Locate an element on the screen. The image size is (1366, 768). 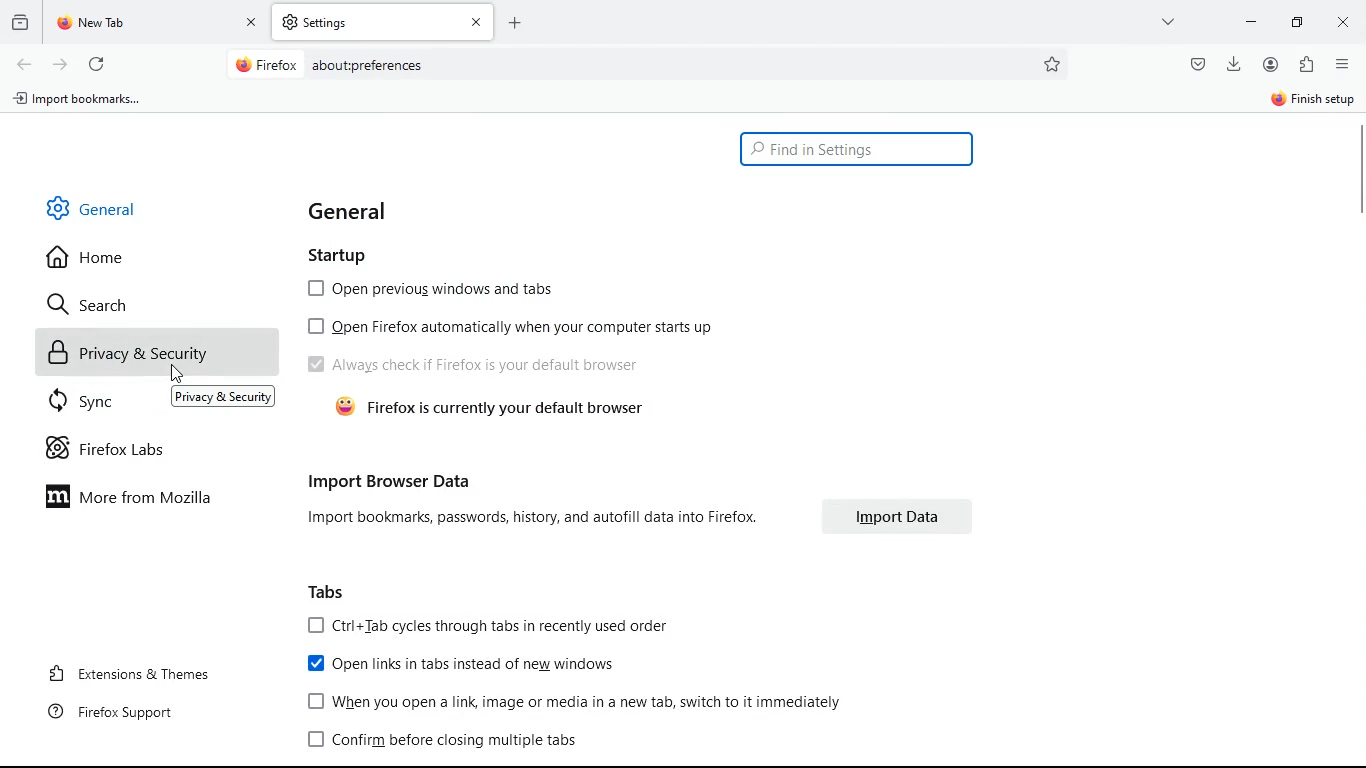
tabs is located at coordinates (333, 587).